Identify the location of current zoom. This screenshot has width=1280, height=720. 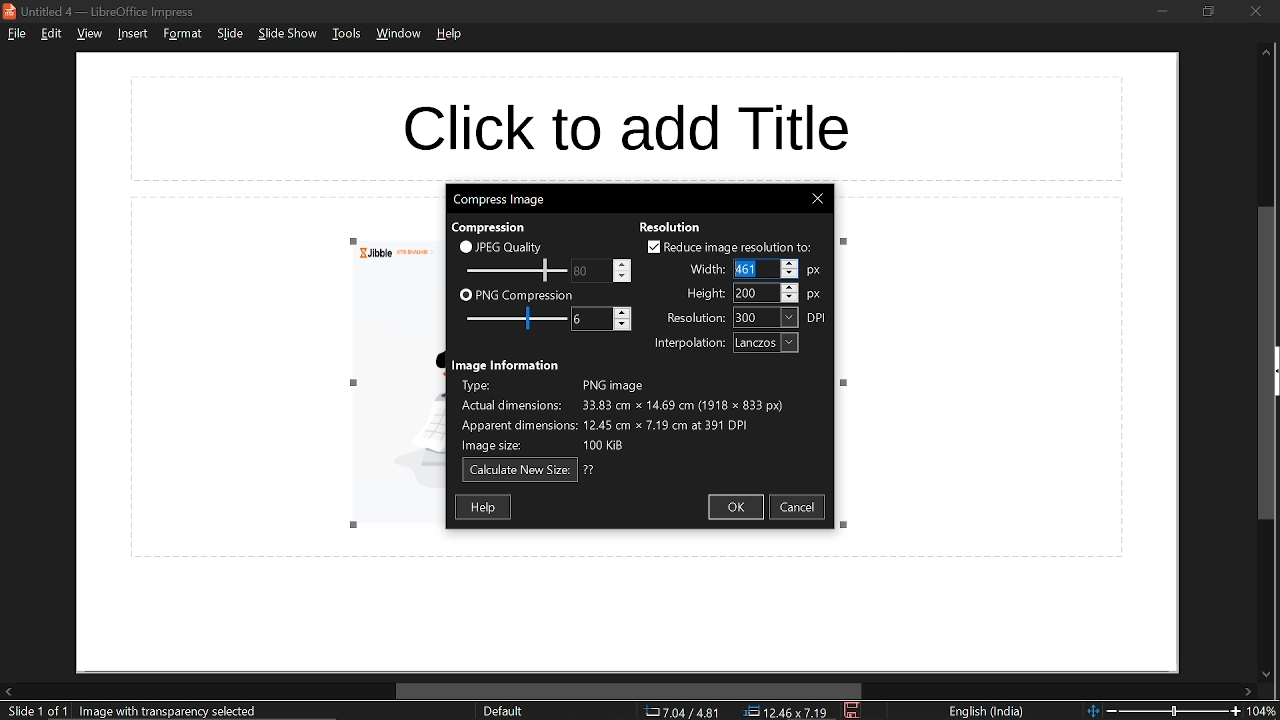
(1265, 711).